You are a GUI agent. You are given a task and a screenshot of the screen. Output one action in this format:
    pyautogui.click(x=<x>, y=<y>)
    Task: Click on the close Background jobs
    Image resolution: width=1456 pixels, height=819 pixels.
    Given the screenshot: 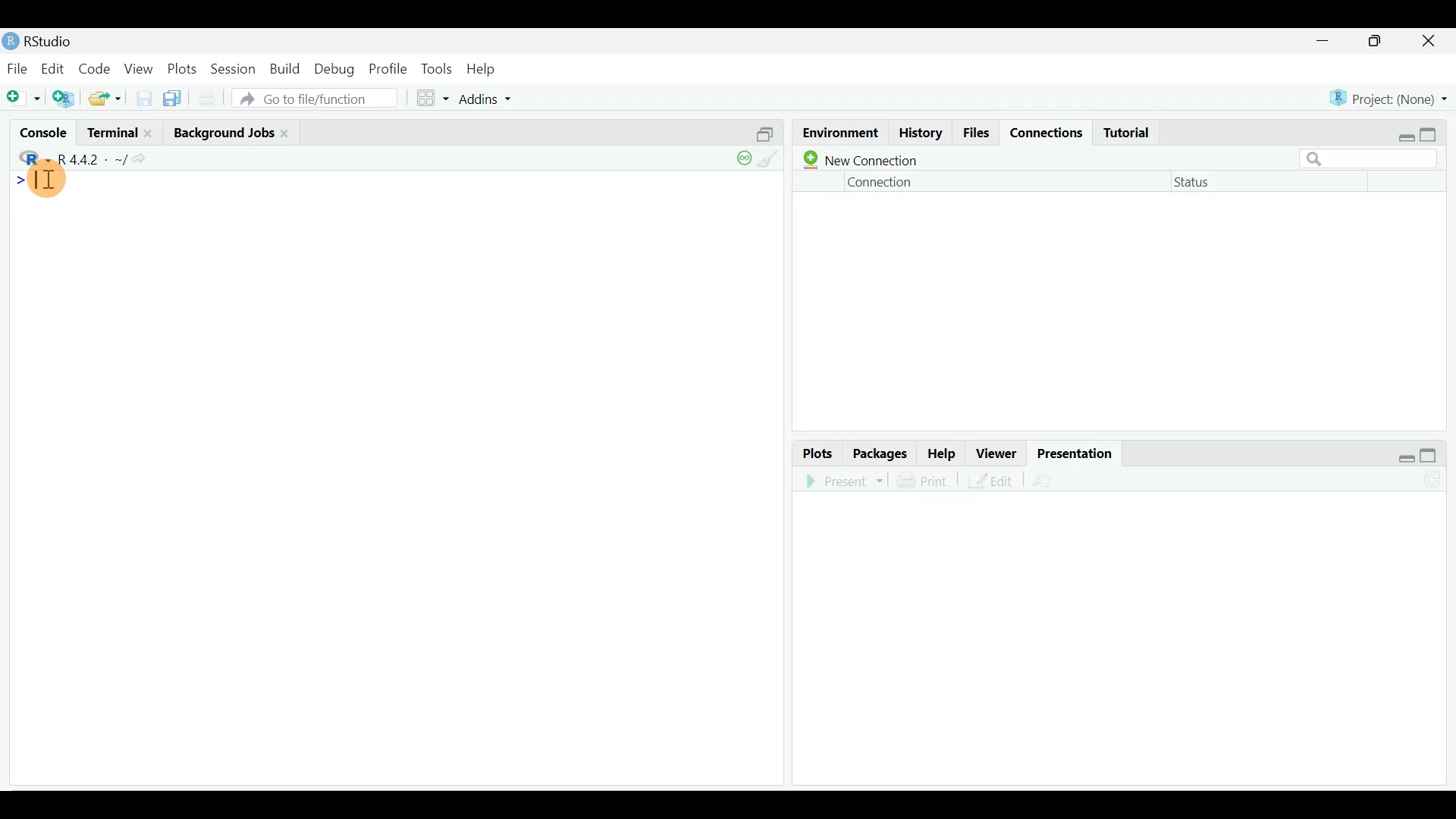 What is the action you would take?
    pyautogui.click(x=287, y=130)
    